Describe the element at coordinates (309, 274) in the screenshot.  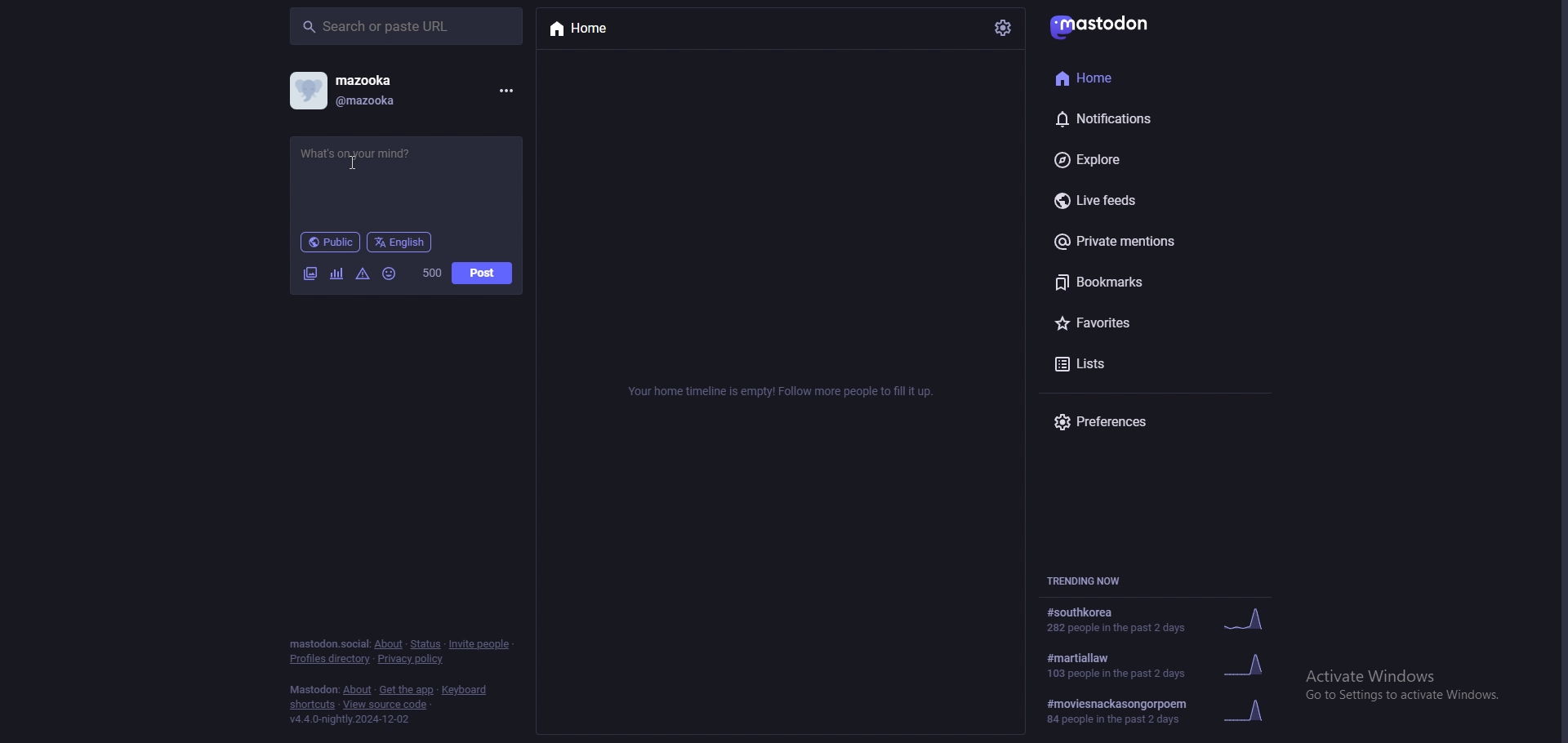
I see `image` at that location.